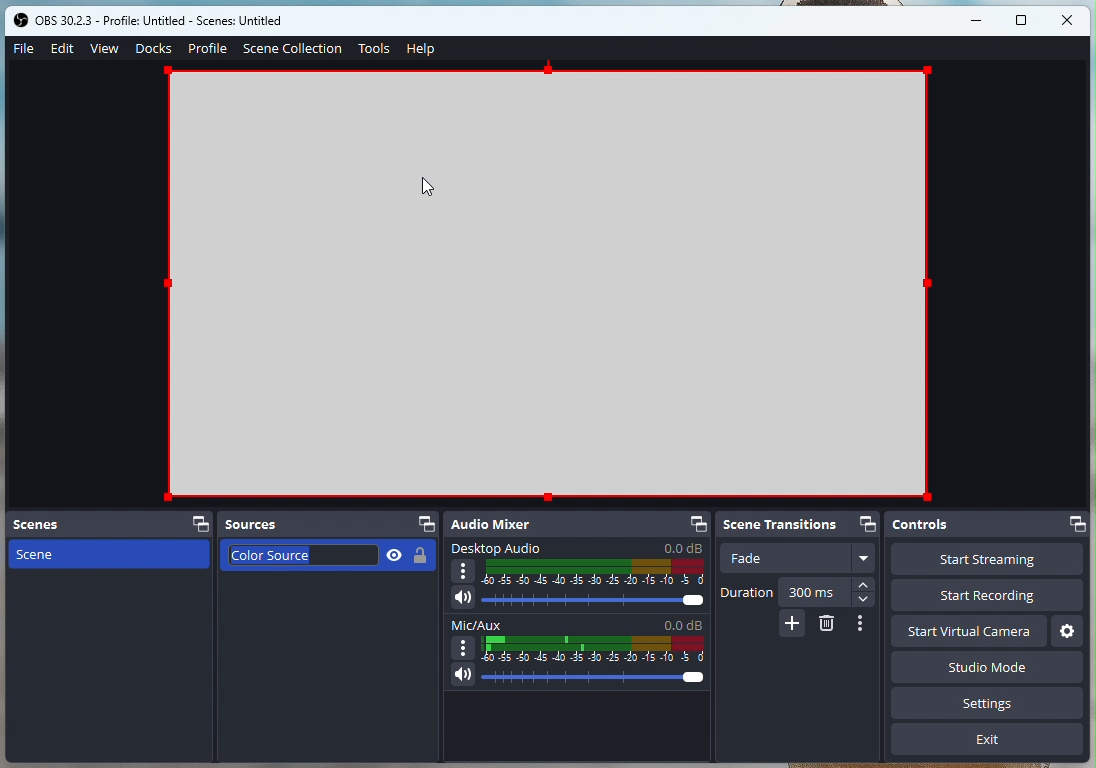  Describe the element at coordinates (928, 670) in the screenshot. I see `Studio Mode` at that location.